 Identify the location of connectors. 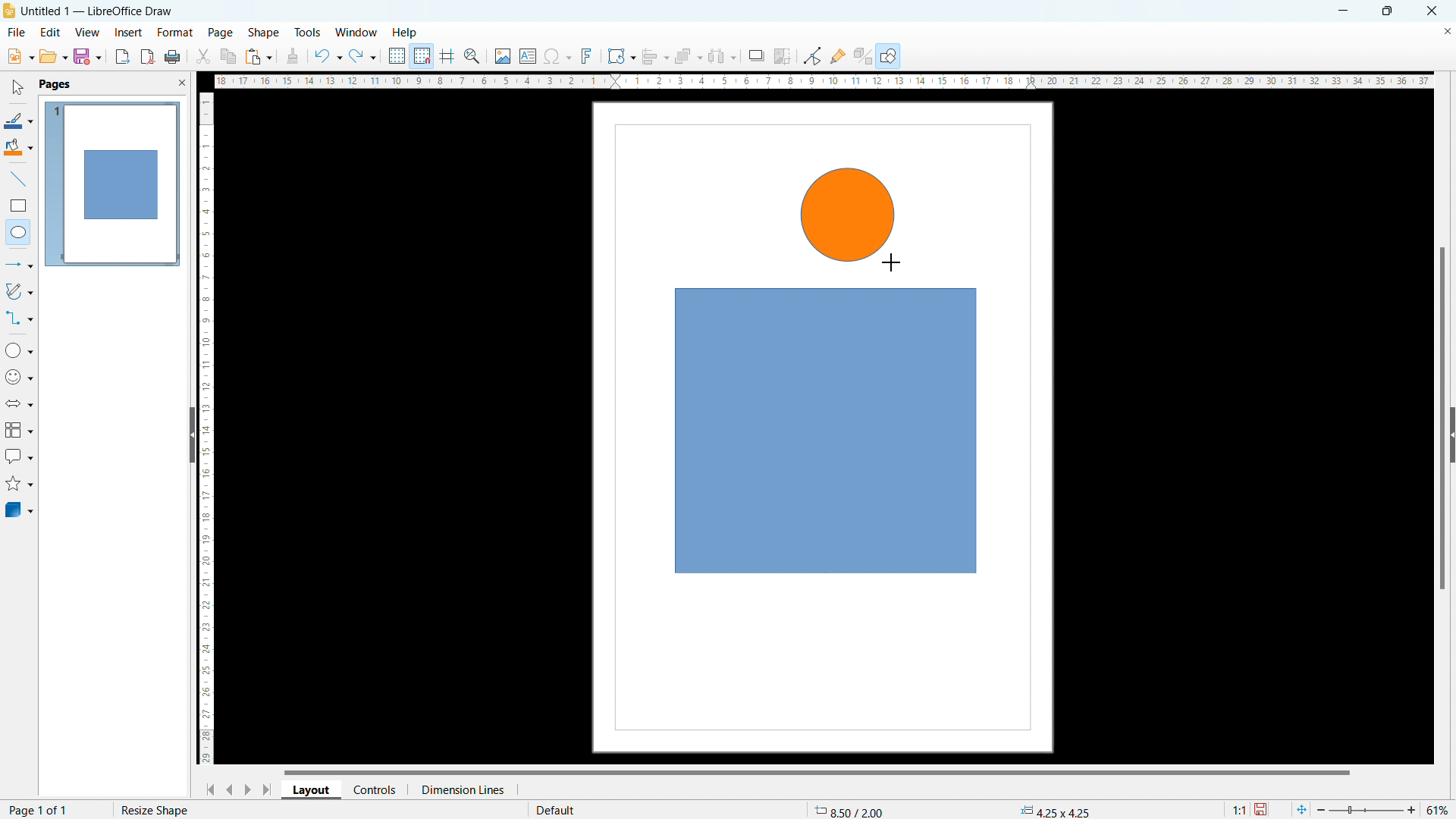
(20, 318).